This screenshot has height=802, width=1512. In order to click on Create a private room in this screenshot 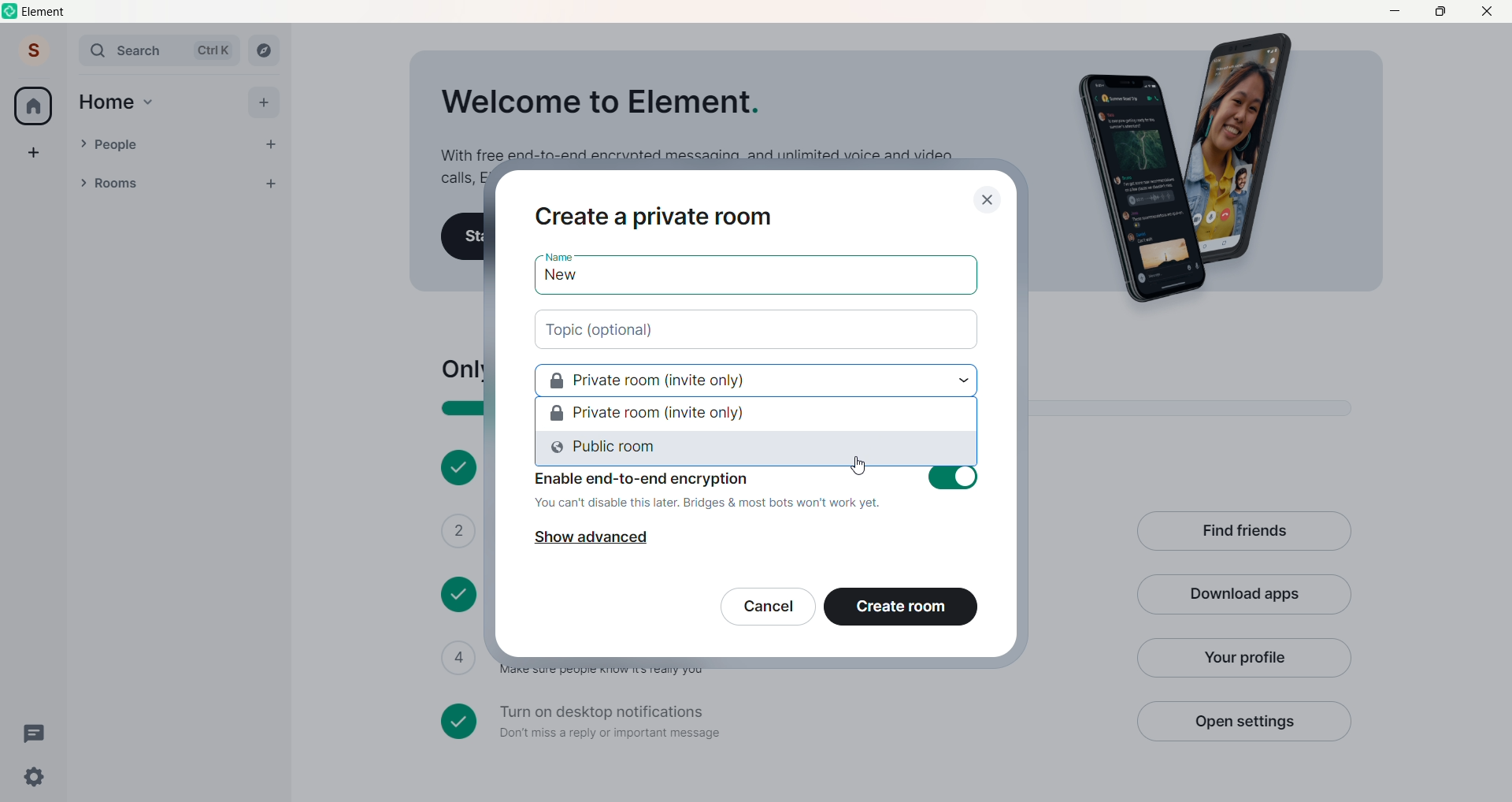, I will do `click(655, 217)`.